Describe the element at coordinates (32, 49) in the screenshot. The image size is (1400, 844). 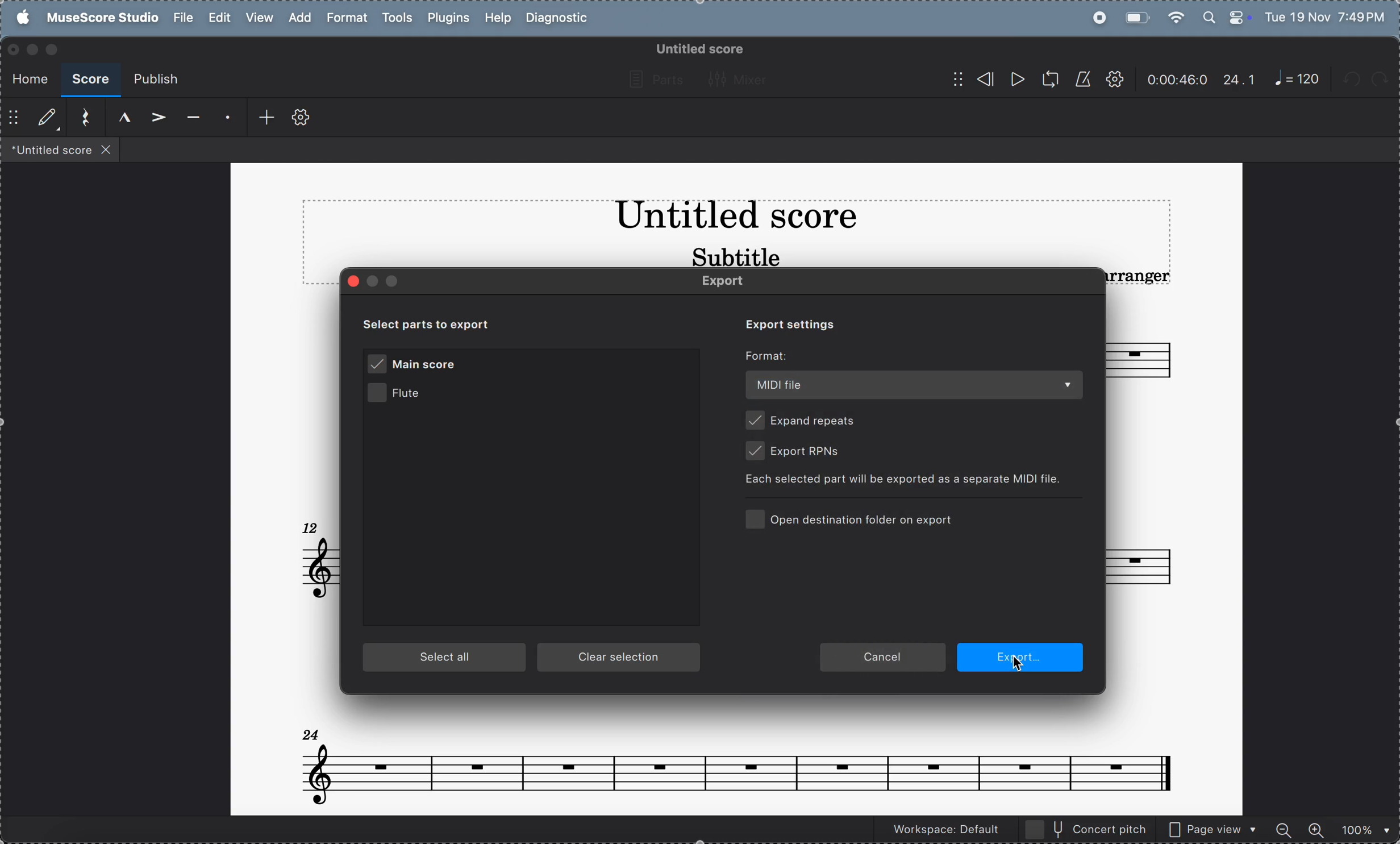
I see `minimize` at that location.